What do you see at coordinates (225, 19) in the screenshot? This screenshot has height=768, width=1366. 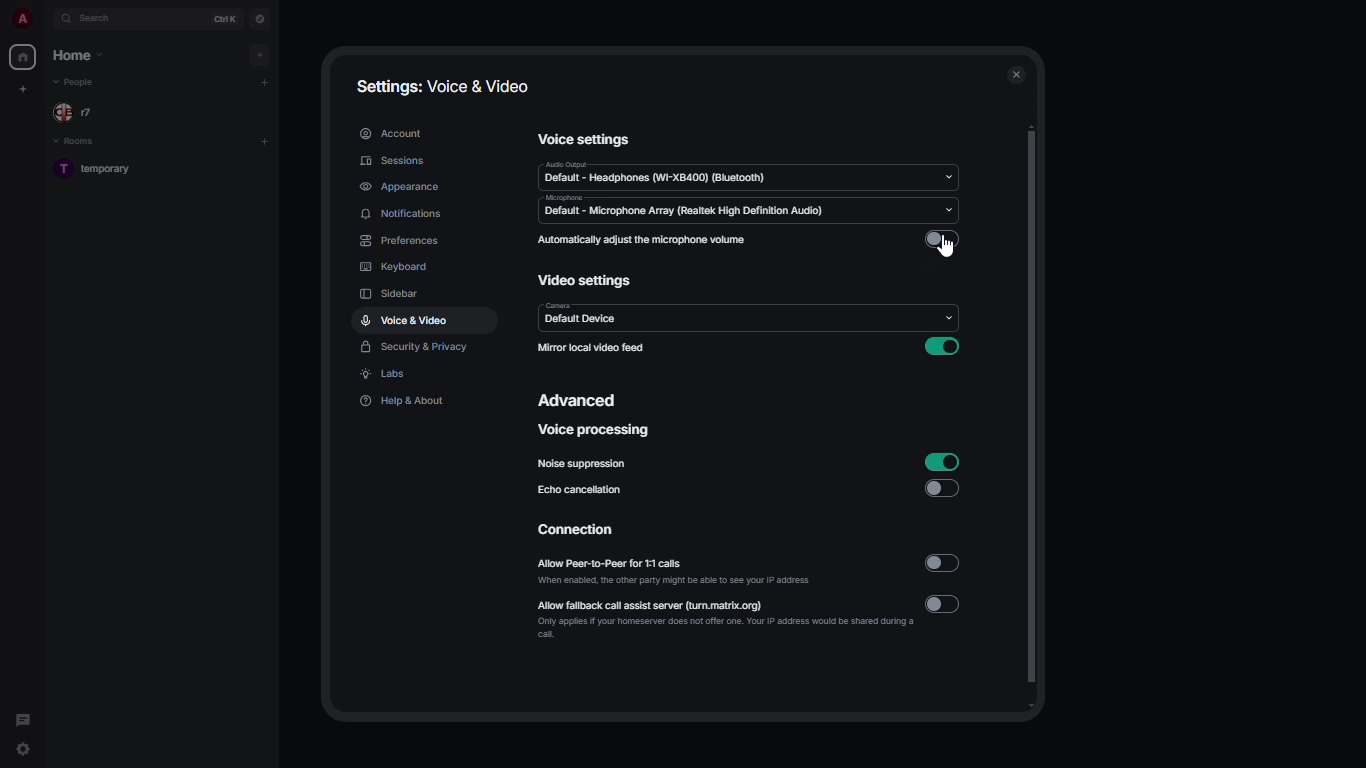 I see `ctrl K` at bounding box center [225, 19].